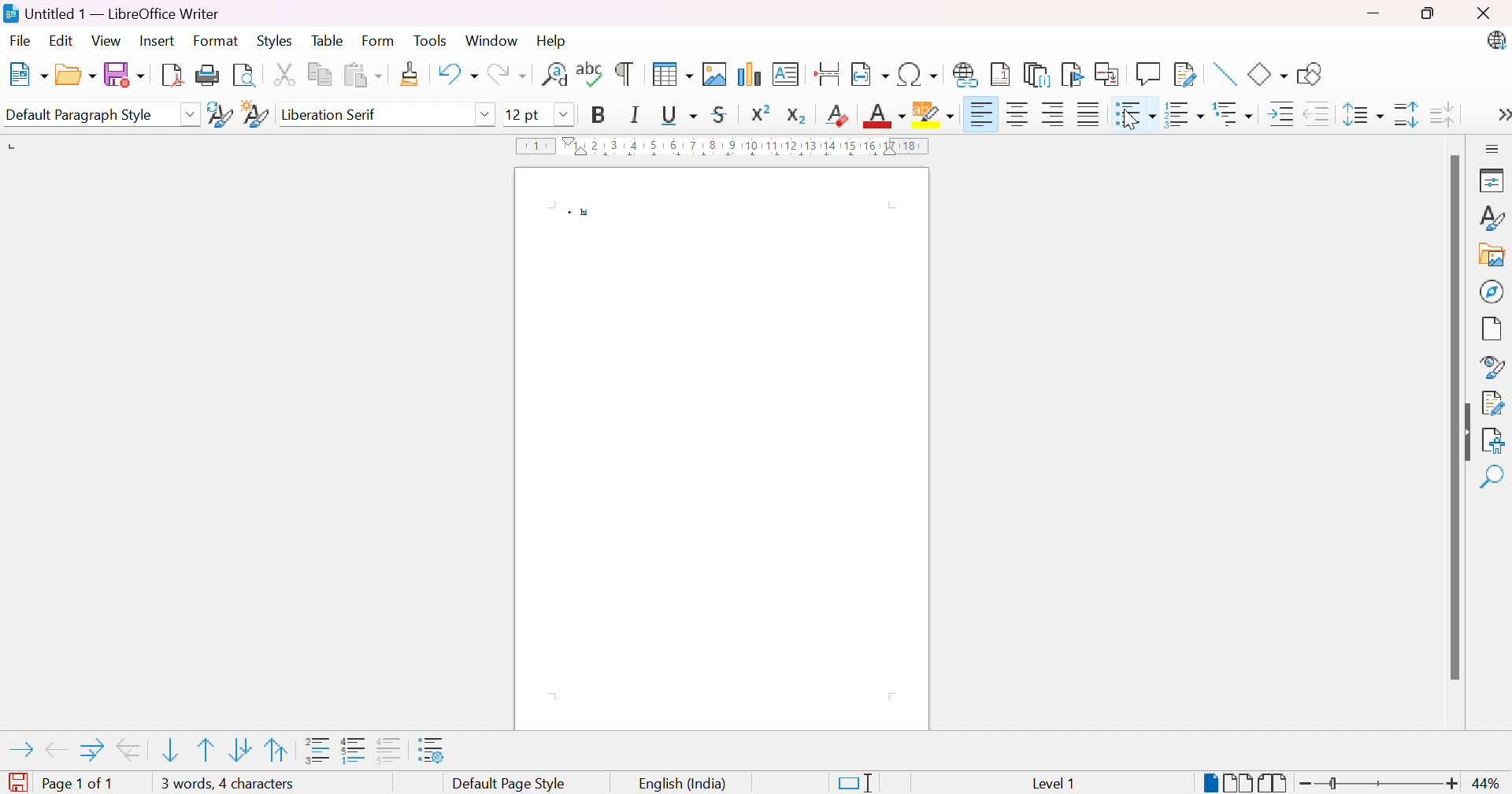  What do you see at coordinates (255, 115) in the screenshot?
I see `New style from selection` at bounding box center [255, 115].